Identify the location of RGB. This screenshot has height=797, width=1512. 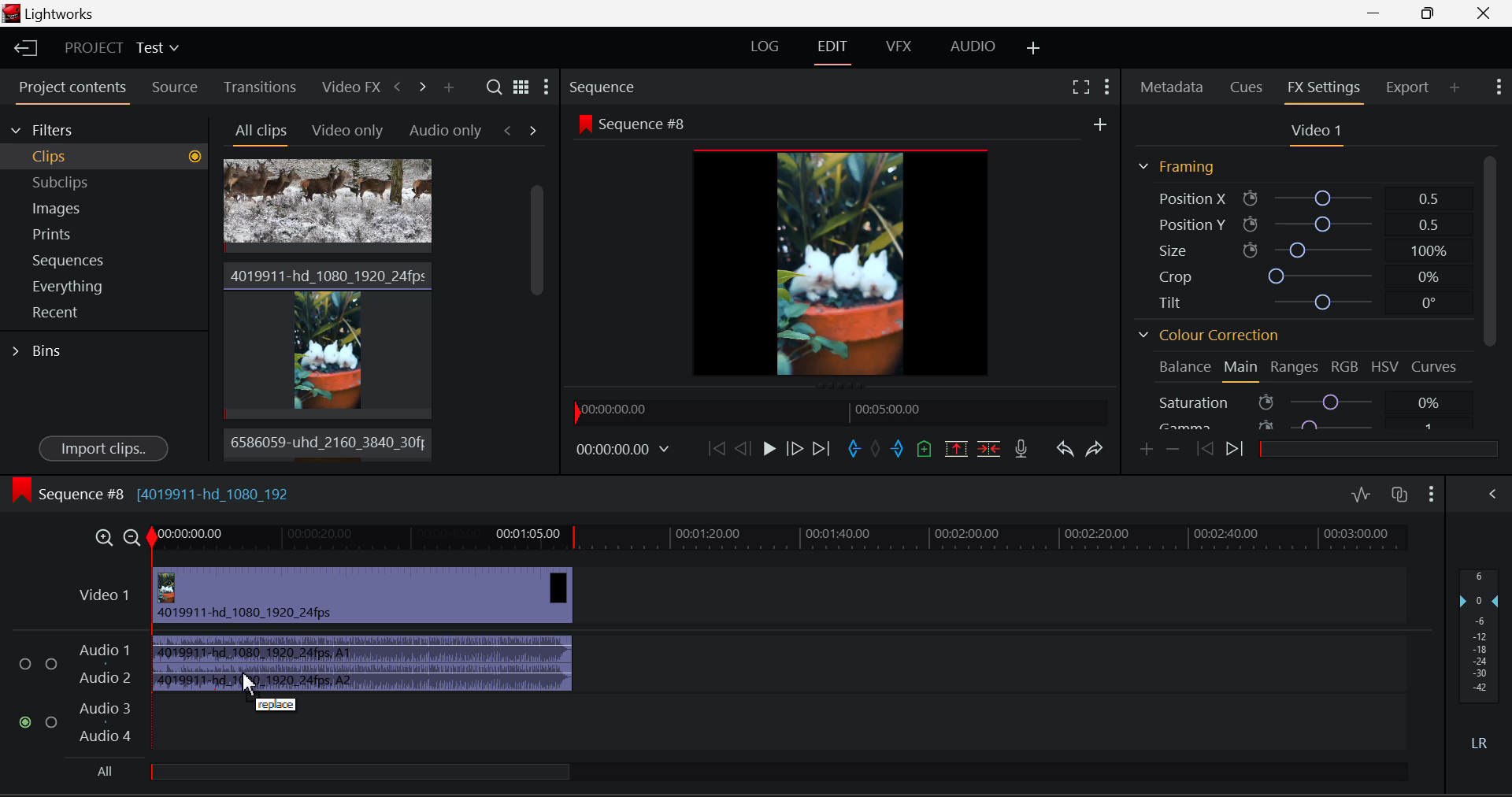
(1343, 365).